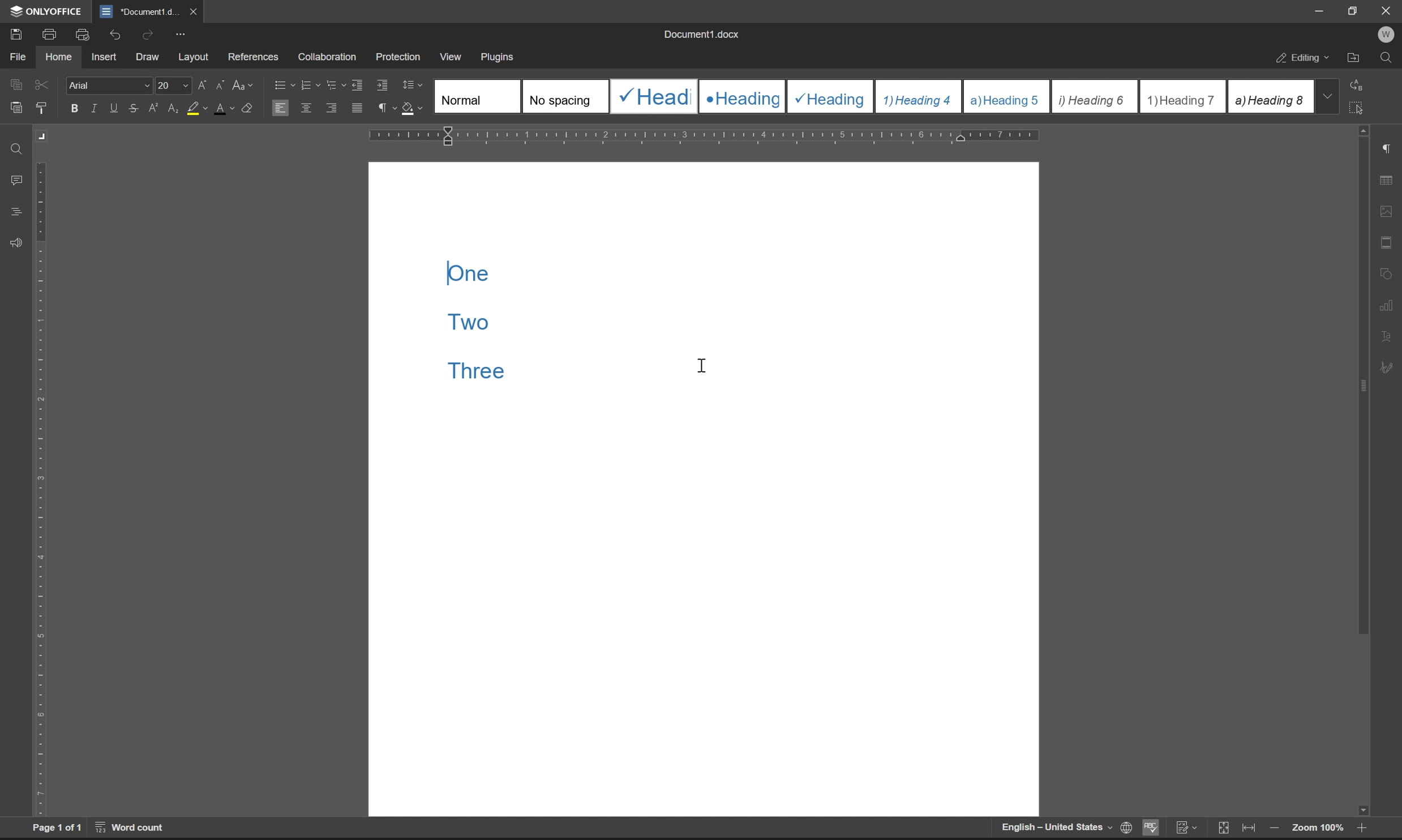 This screenshot has width=1402, height=840. What do you see at coordinates (1390, 368) in the screenshot?
I see `signature settings` at bounding box center [1390, 368].